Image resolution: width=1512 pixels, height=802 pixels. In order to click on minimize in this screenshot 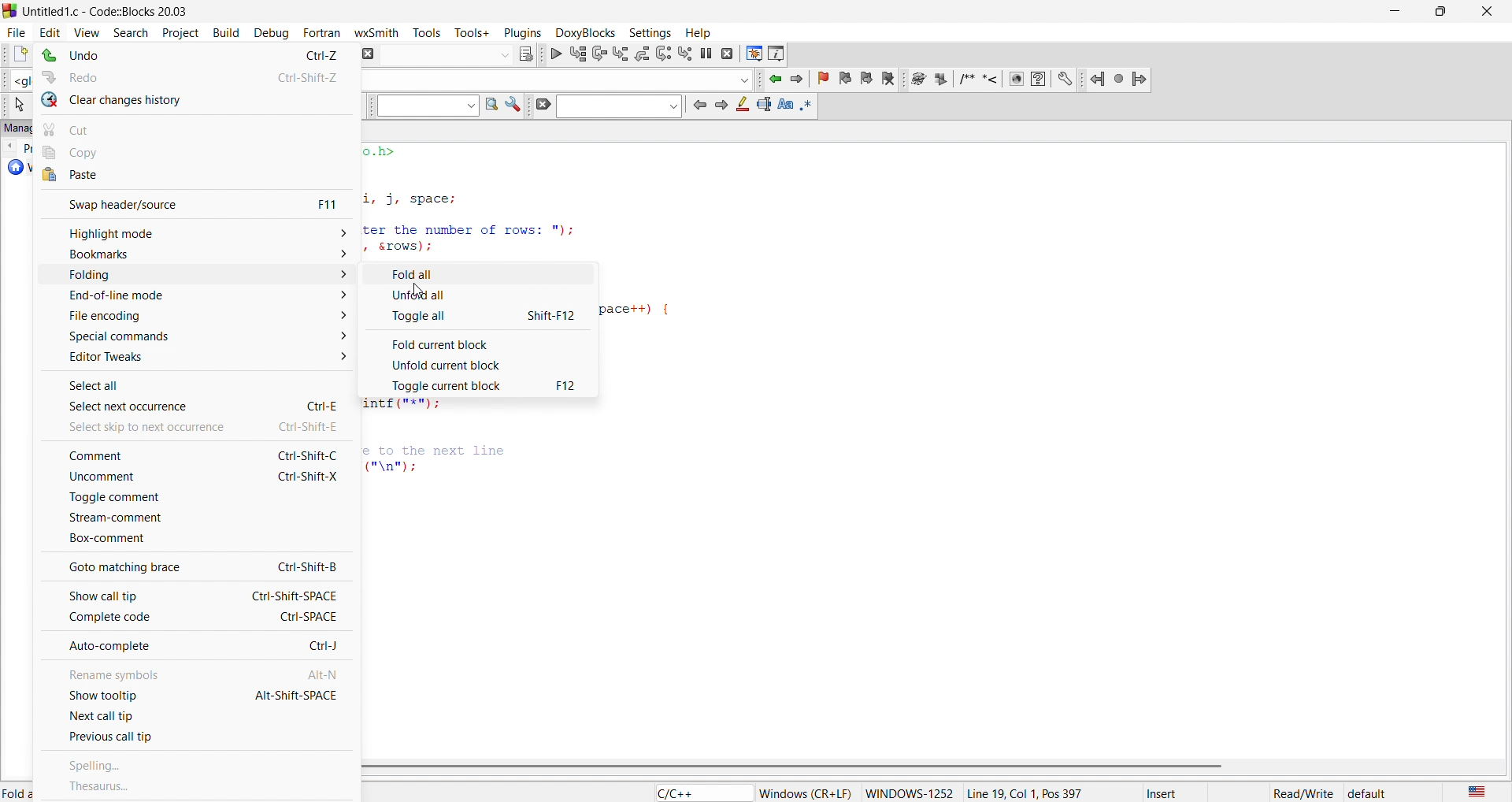, I will do `click(1392, 12)`.